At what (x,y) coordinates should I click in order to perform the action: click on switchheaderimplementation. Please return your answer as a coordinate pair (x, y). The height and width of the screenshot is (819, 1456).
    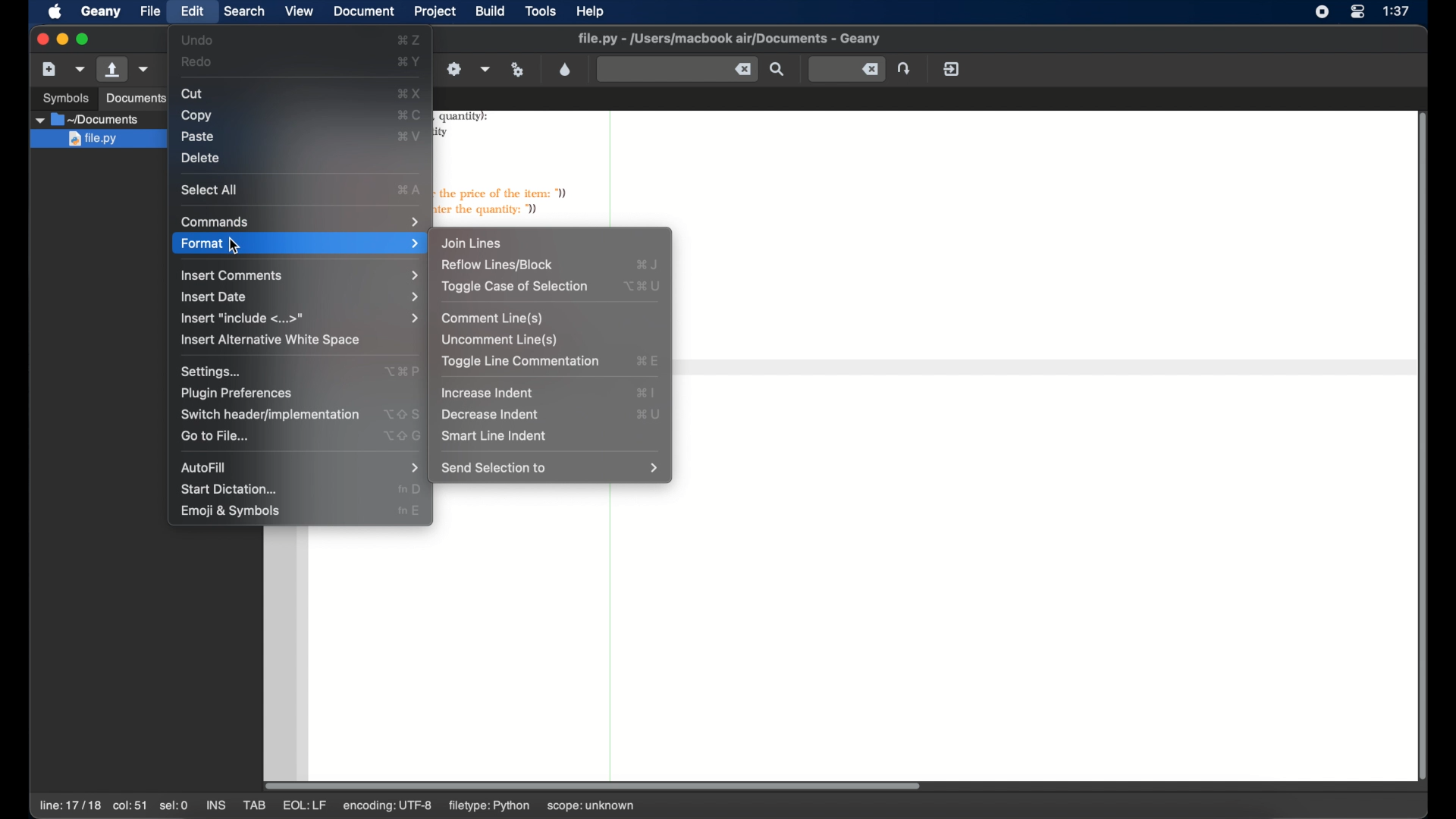
    Looking at the image, I should click on (271, 415).